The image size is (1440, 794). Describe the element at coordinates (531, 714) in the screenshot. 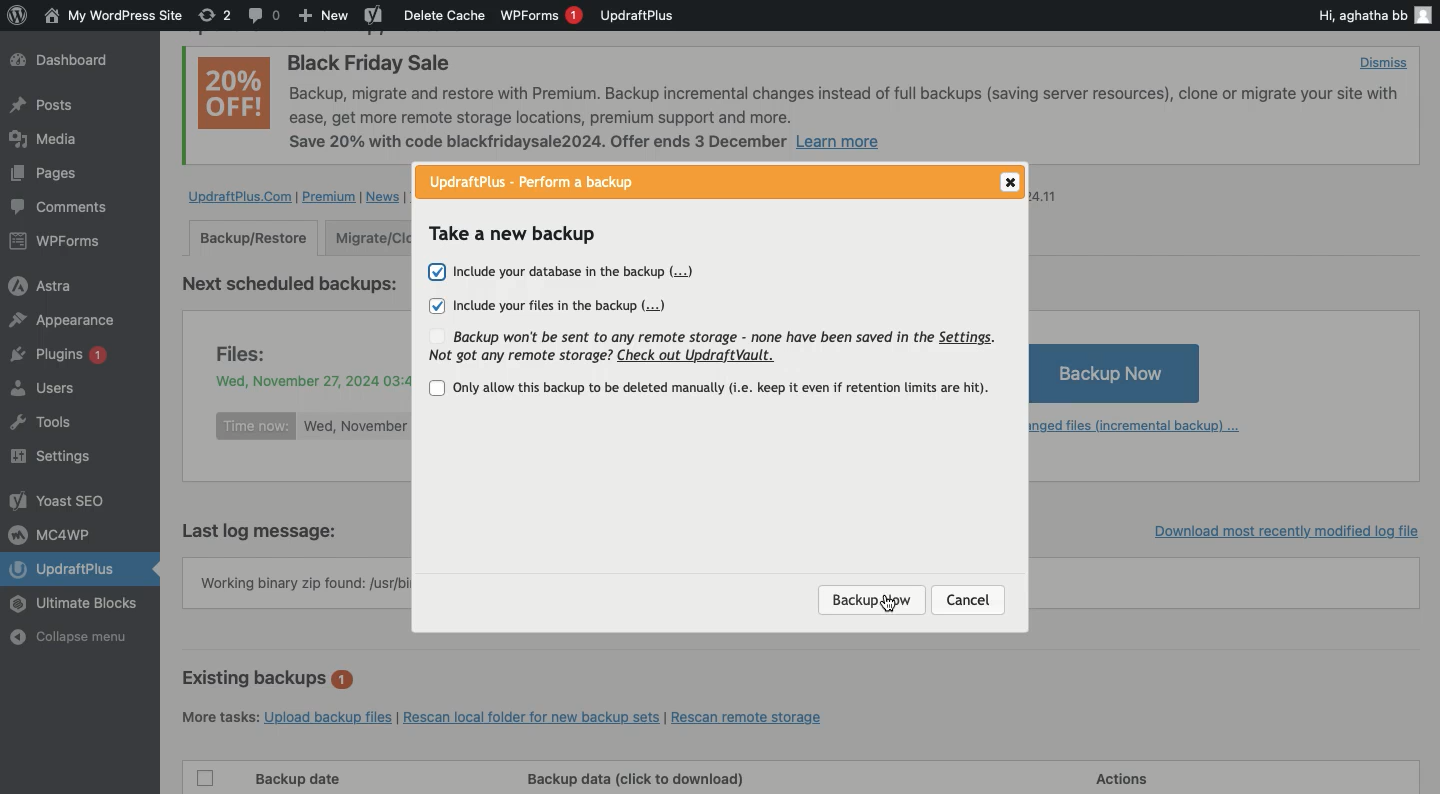

I see `Rescan local folder for new backup sets` at that location.